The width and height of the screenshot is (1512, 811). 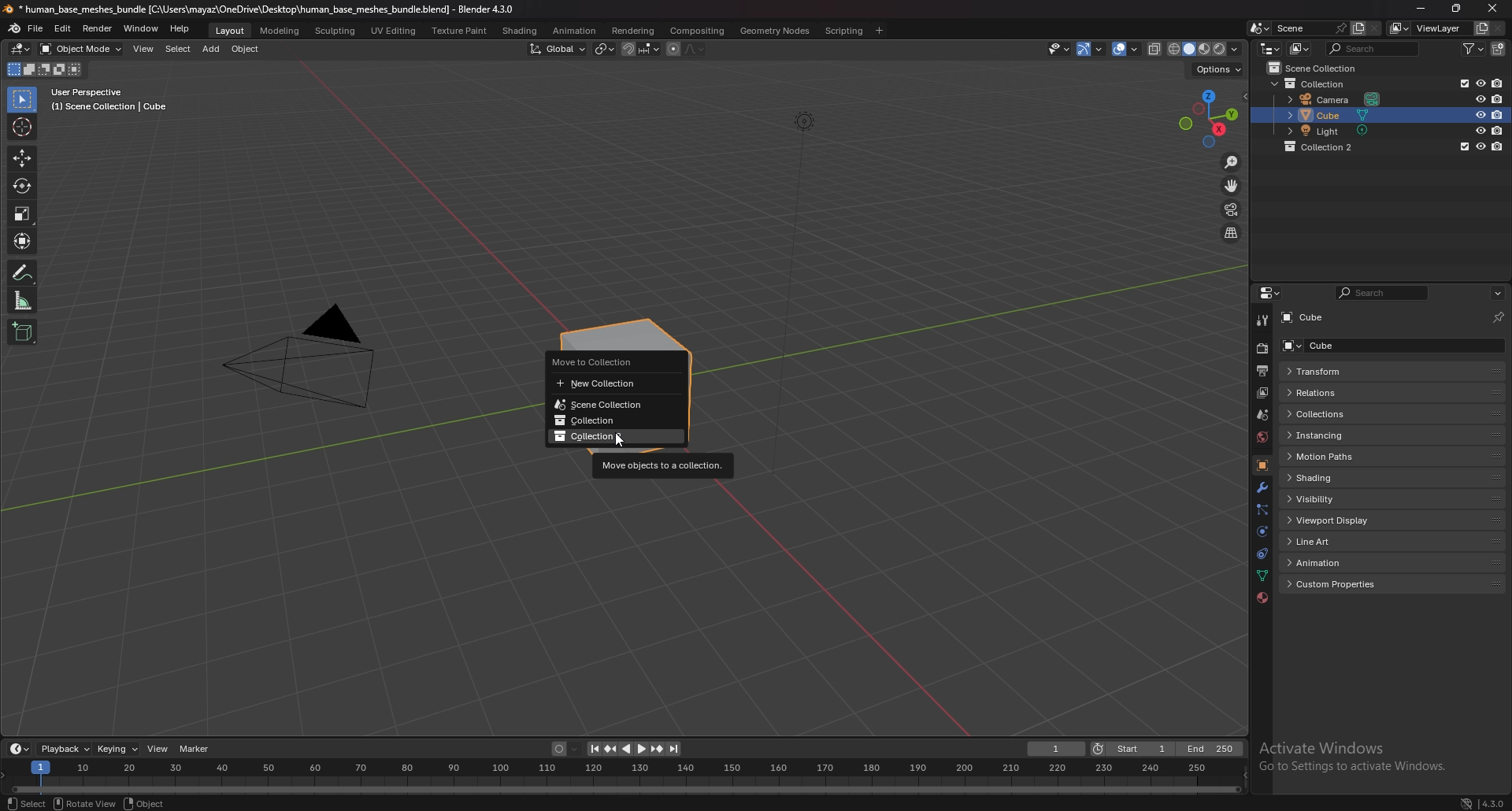 I want to click on exclude in viewport, so click(x=1462, y=83).